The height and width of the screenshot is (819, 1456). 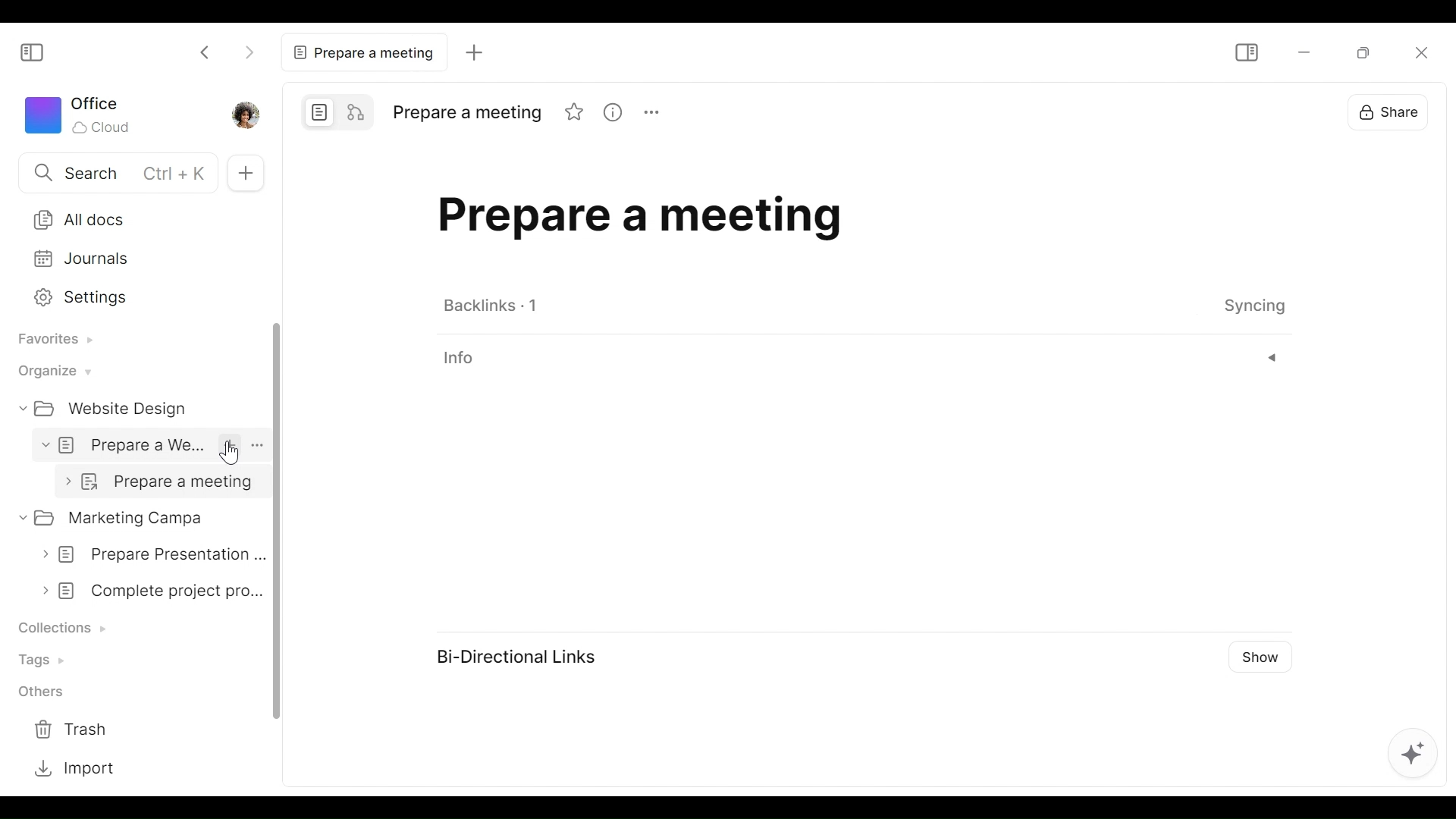 What do you see at coordinates (146, 554) in the screenshot?
I see `Document` at bounding box center [146, 554].